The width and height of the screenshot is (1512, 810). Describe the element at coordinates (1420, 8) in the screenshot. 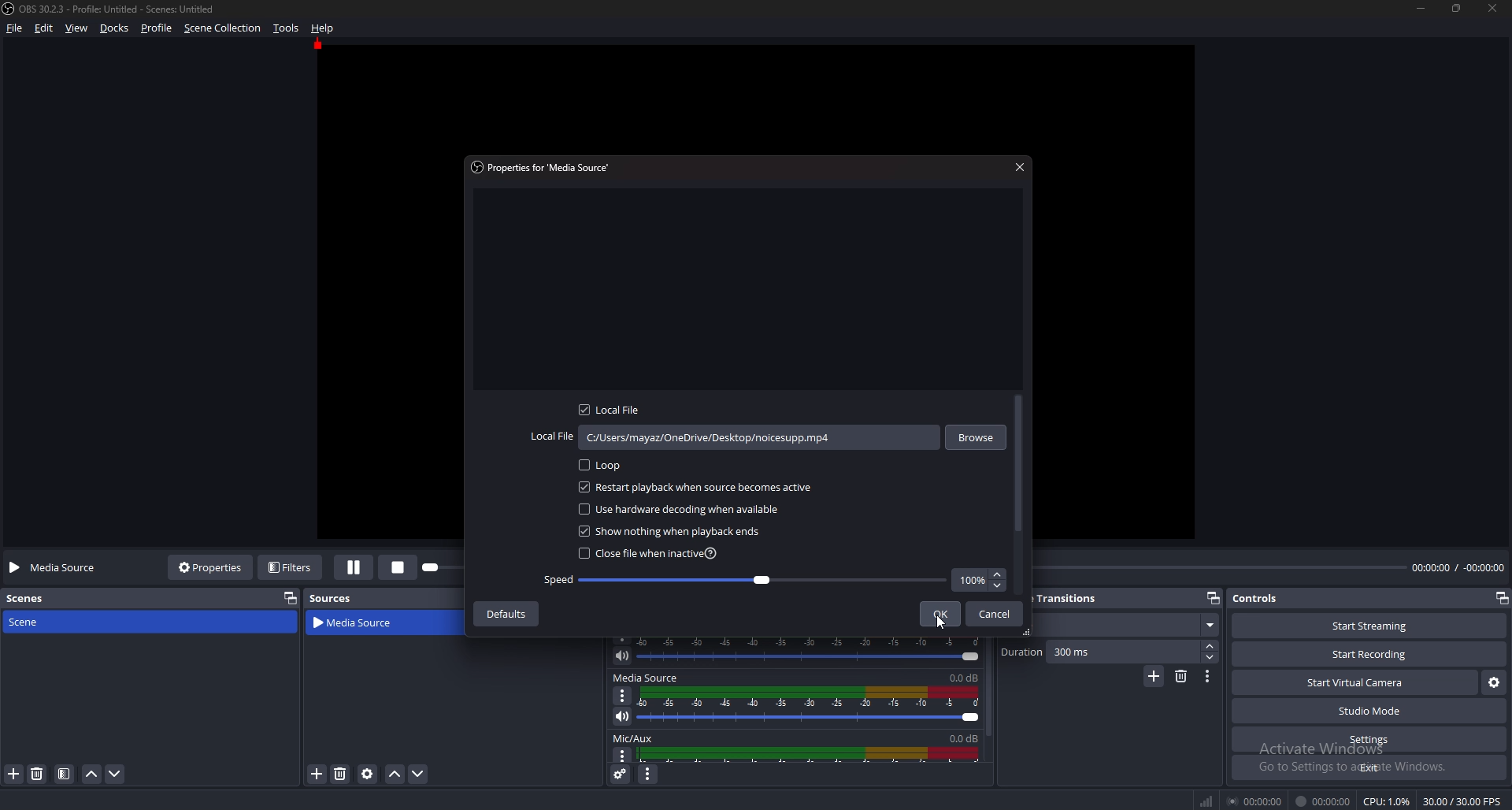

I see `Minimize` at that location.